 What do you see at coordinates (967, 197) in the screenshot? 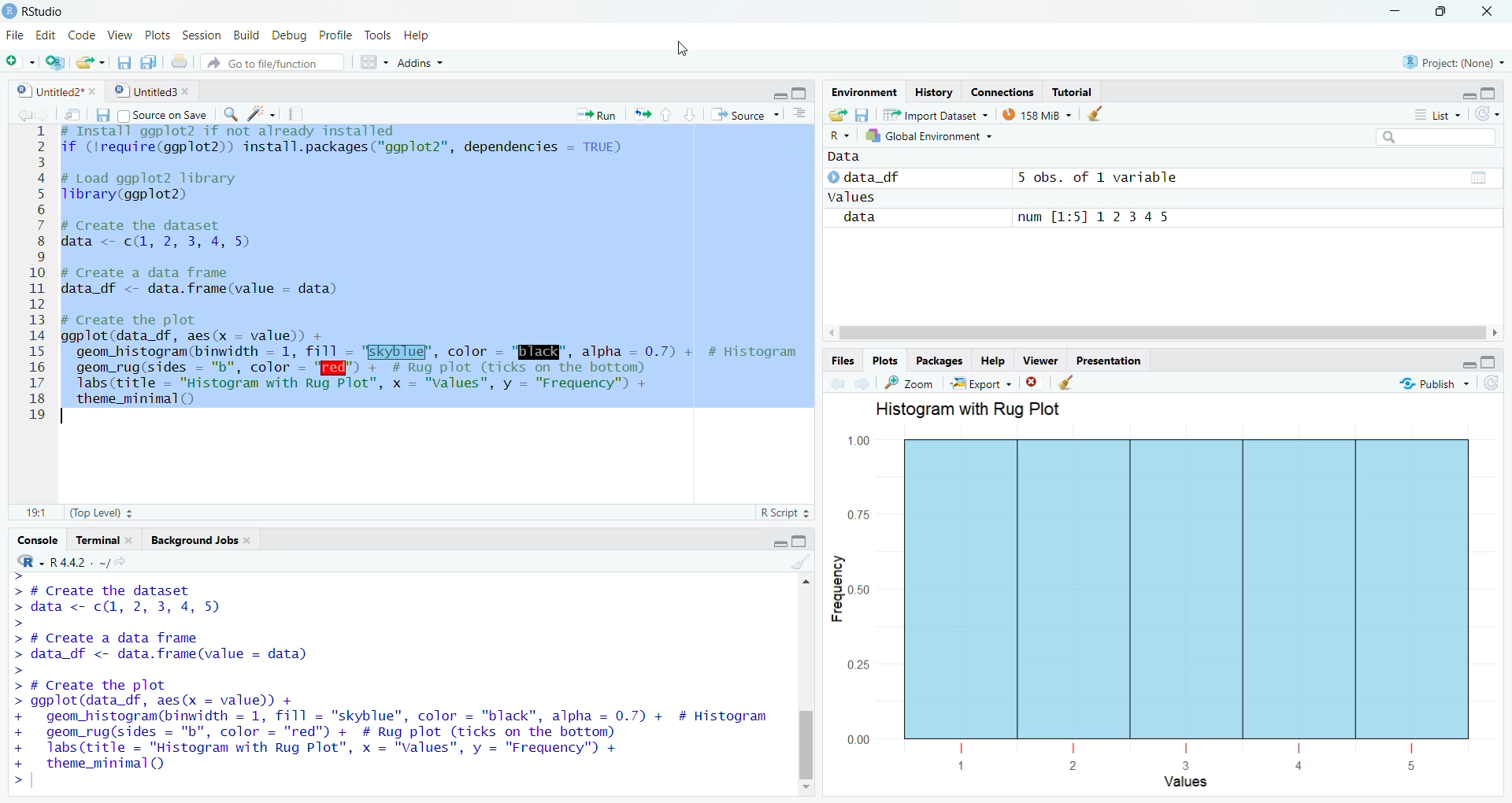
I see `~~ values` at bounding box center [967, 197].